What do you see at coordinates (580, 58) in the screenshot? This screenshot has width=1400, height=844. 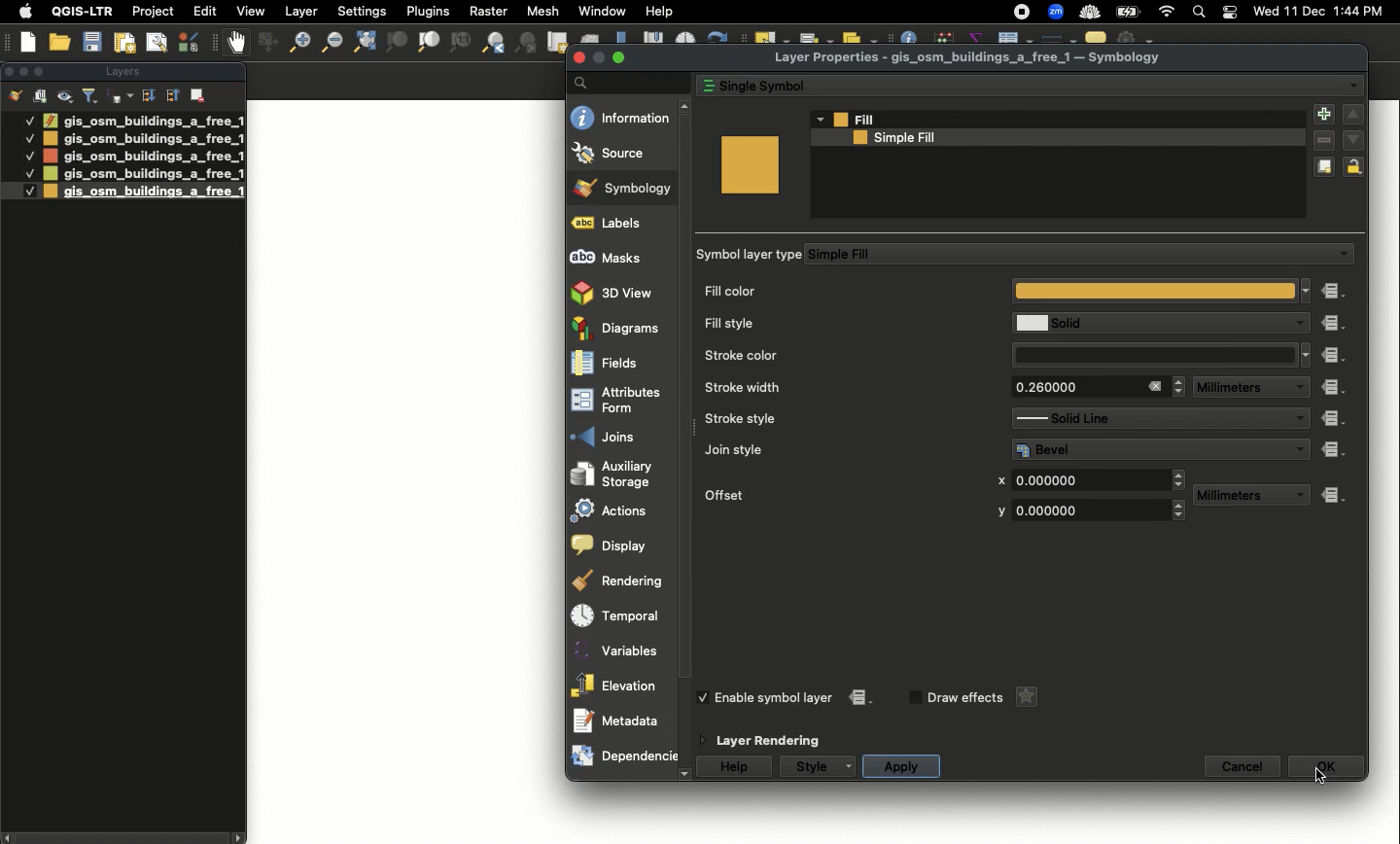 I see `close` at bounding box center [580, 58].